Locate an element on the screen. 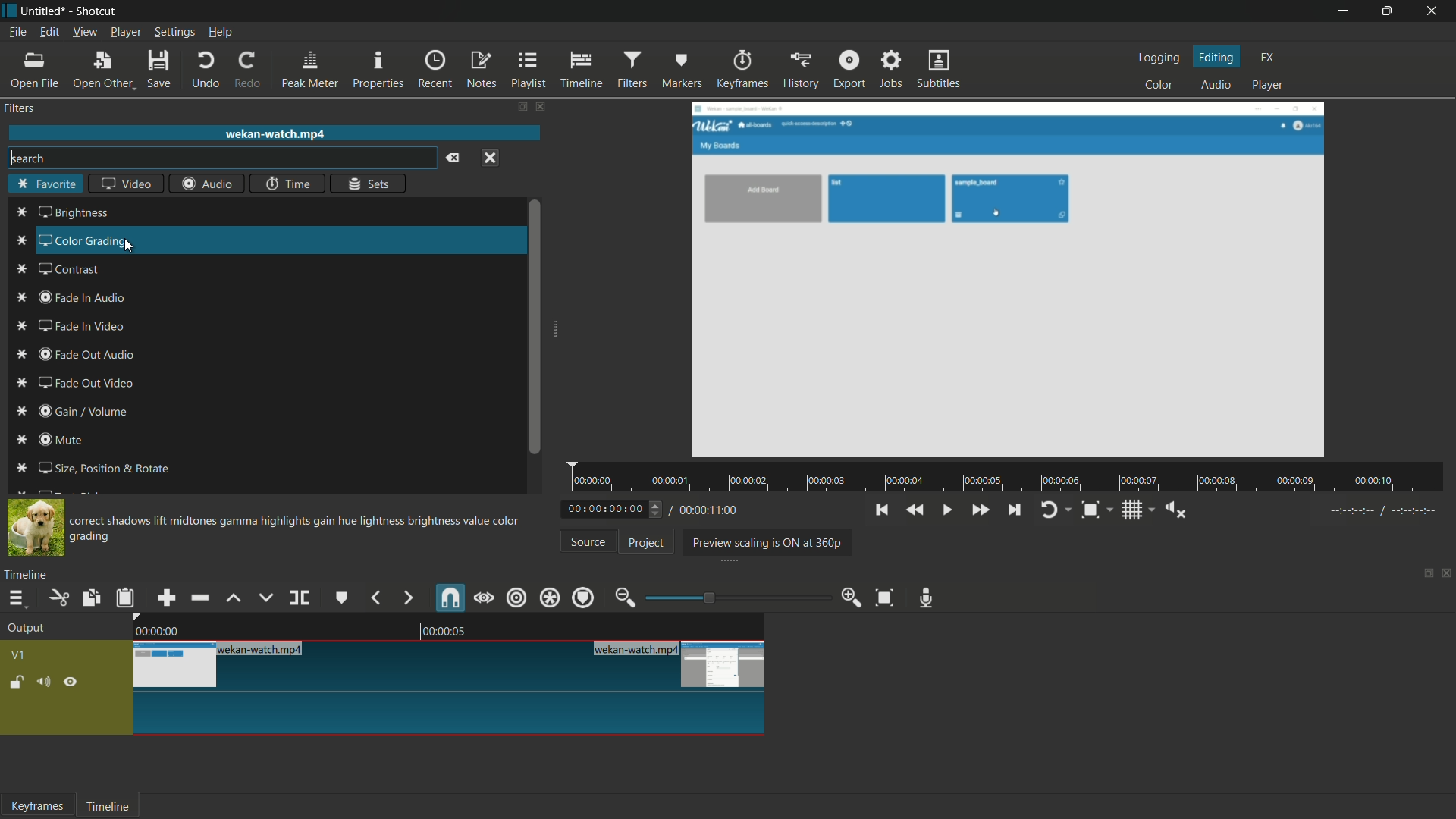 The height and width of the screenshot is (819, 1456). open other is located at coordinates (103, 71).